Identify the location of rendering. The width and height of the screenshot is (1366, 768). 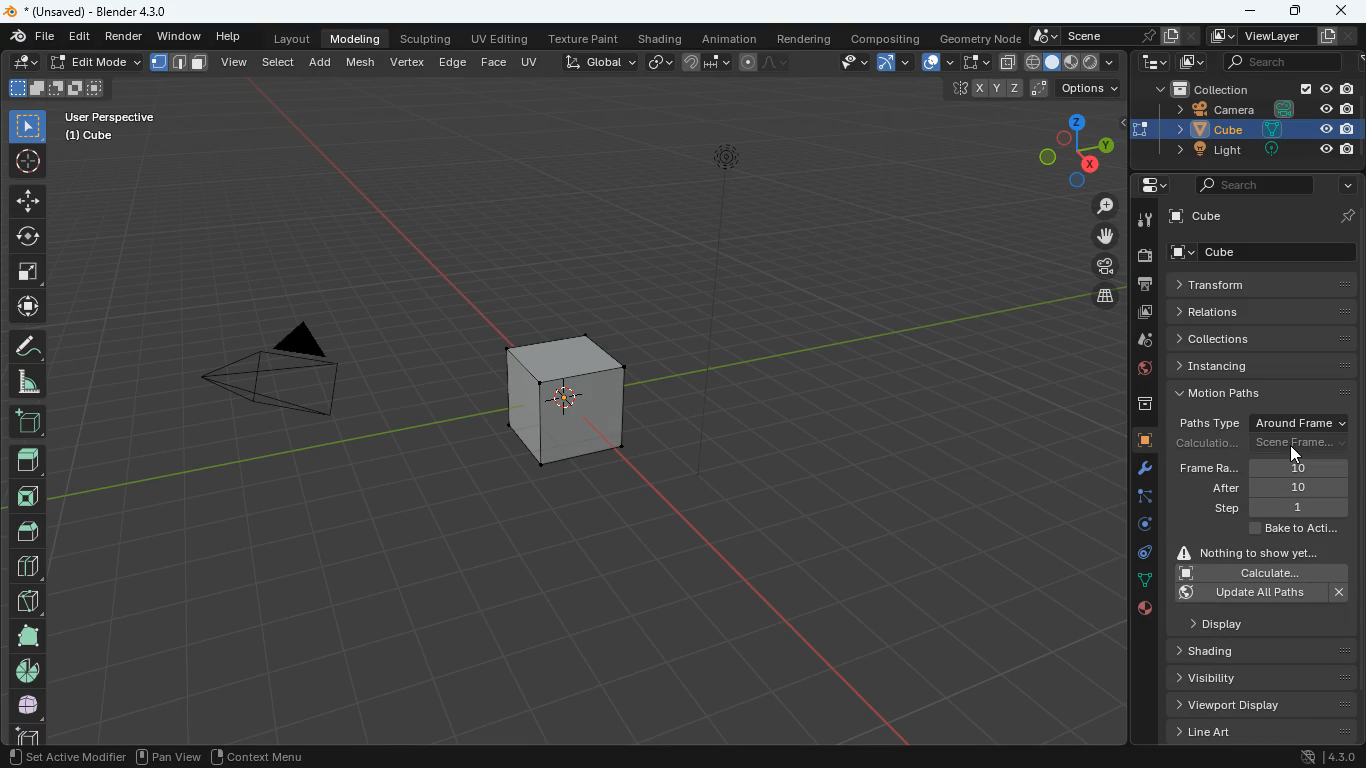
(805, 39).